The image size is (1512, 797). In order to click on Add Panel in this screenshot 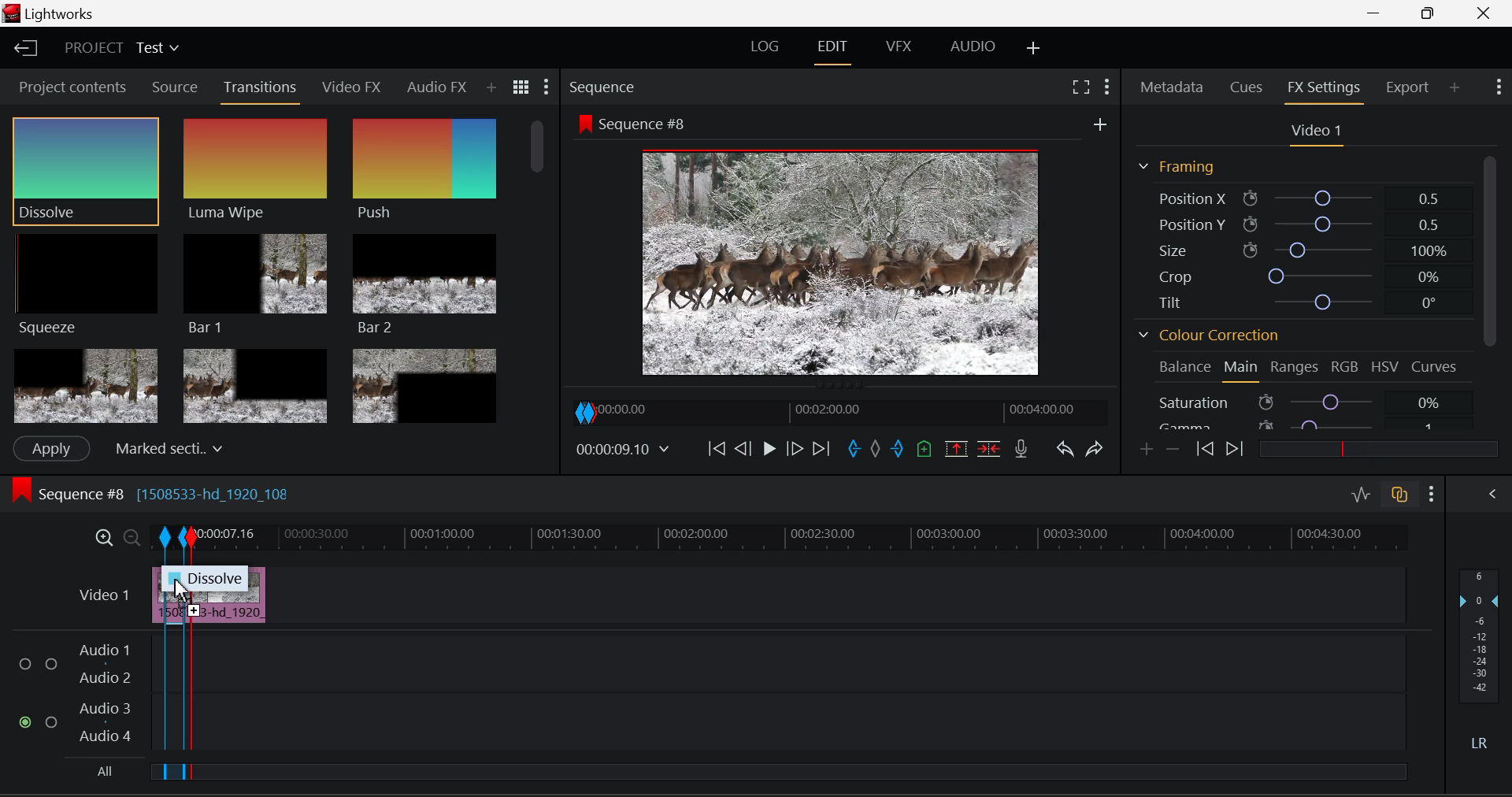, I will do `click(491, 88)`.